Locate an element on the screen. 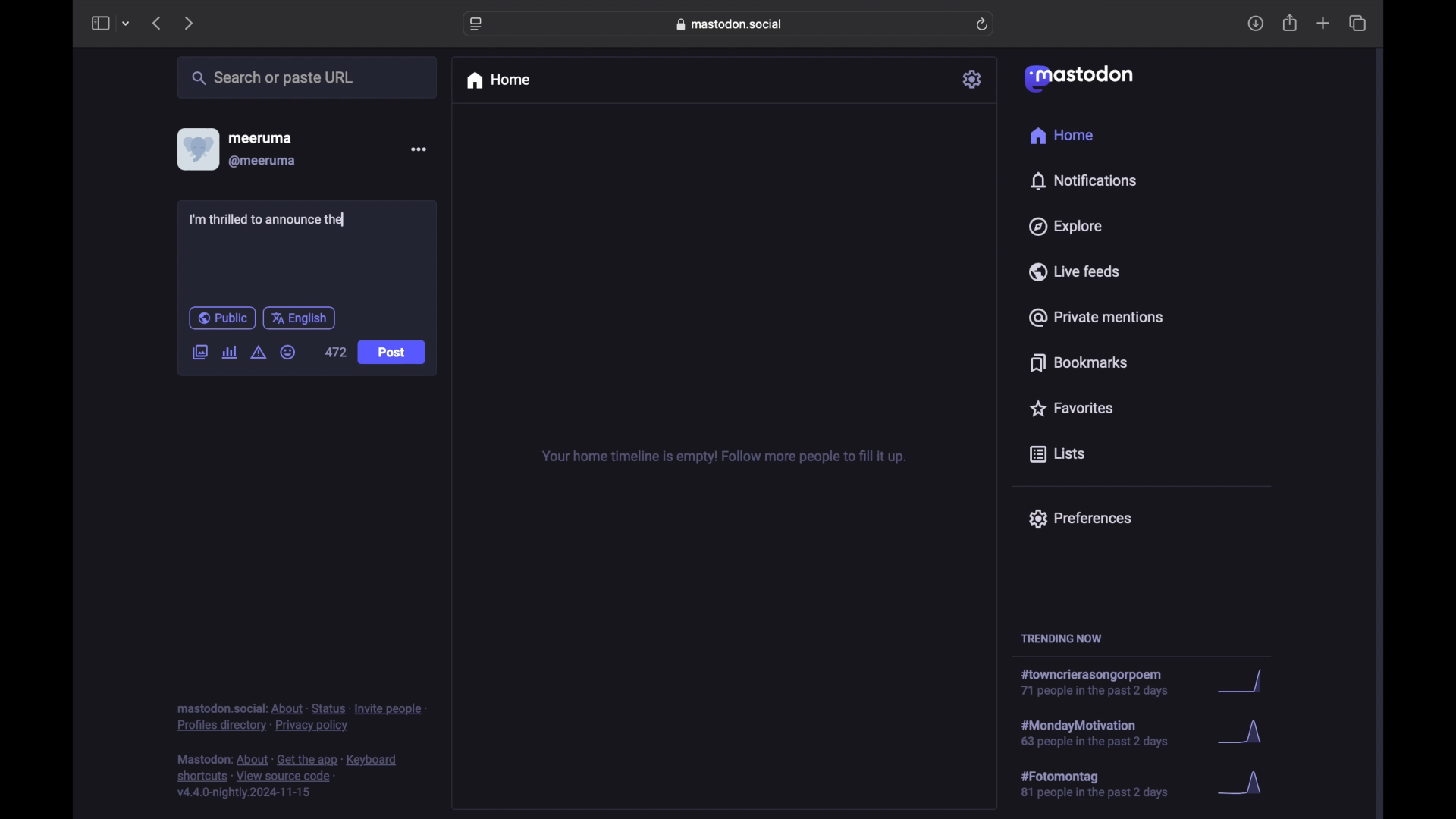 The image size is (1456, 819). @meeruma is located at coordinates (264, 162).